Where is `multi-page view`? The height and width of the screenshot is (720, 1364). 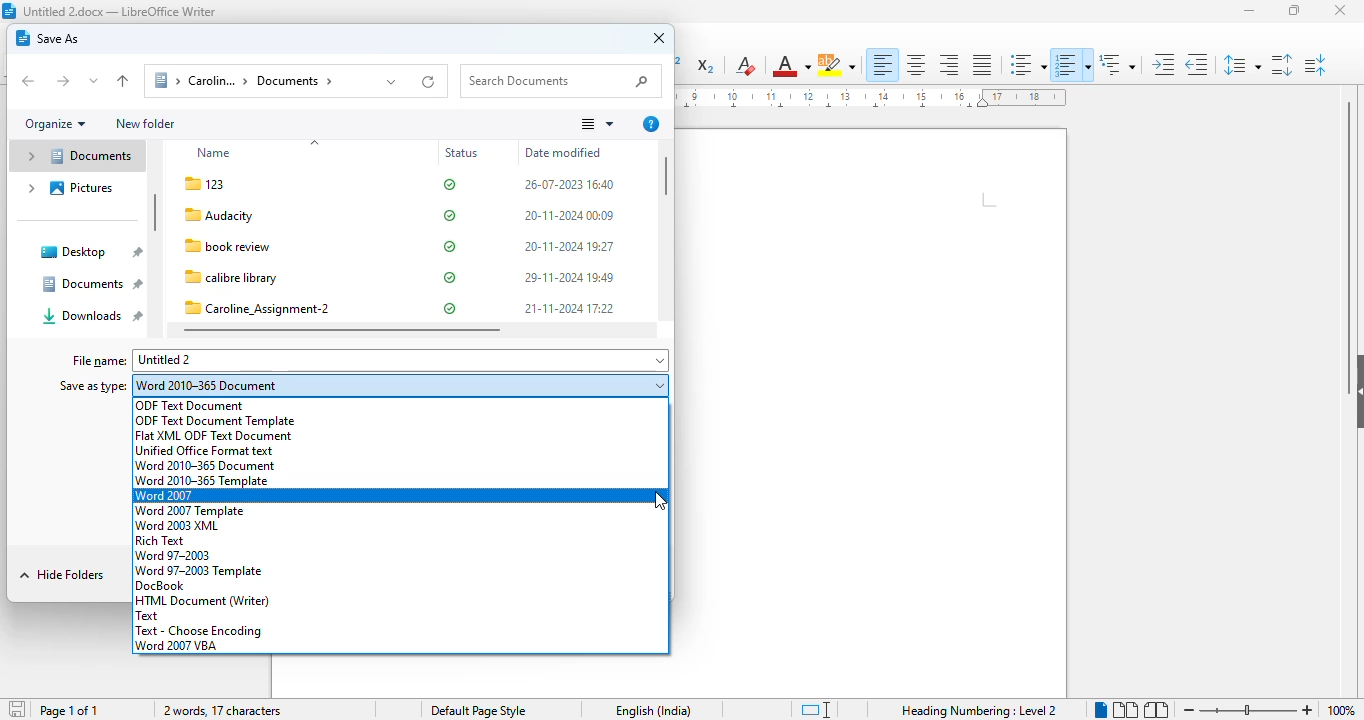 multi-page view is located at coordinates (1125, 709).